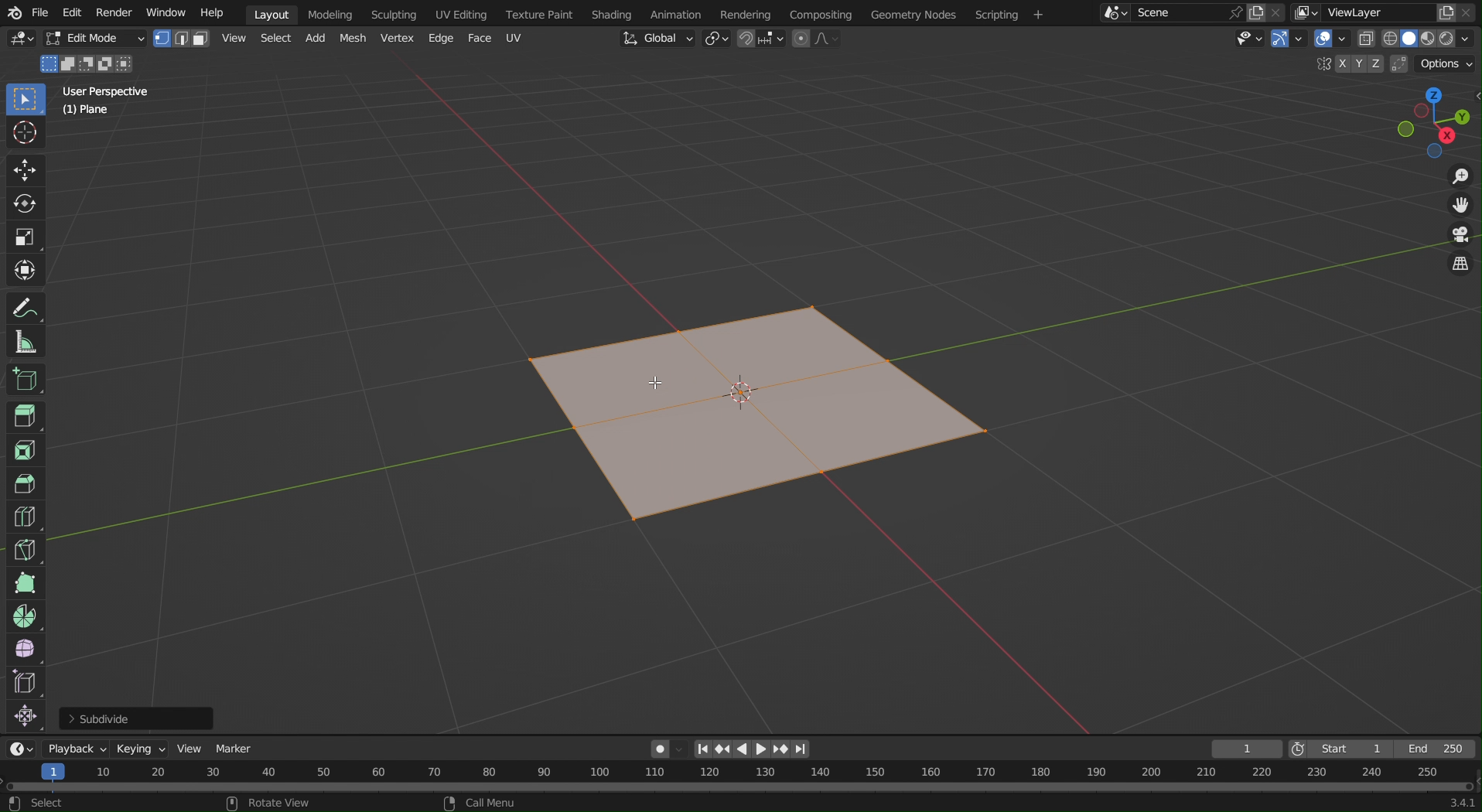 The image size is (1482, 812). What do you see at coordinates (1446, 64) in the screenshot?
I see `Options` at bounding box center [1446, 64].